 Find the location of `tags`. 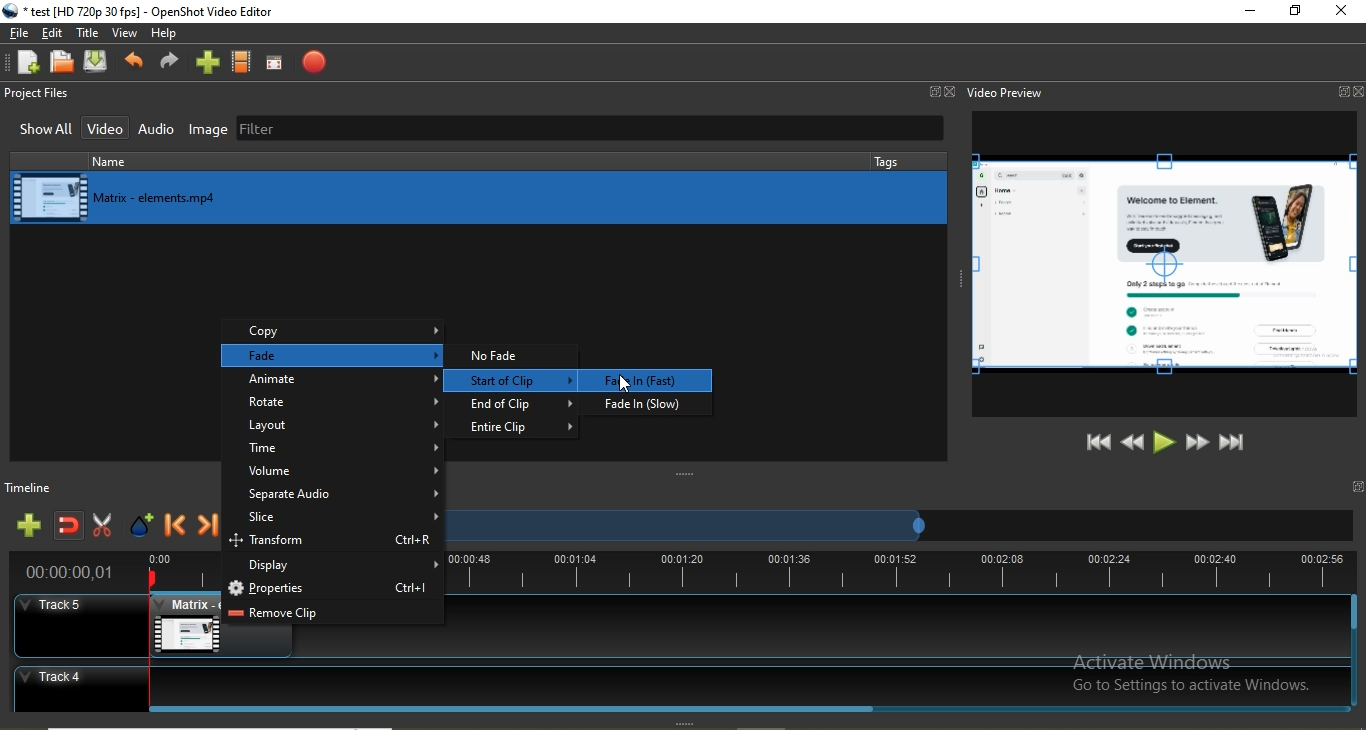

tags is located at coordinates (890, 161).